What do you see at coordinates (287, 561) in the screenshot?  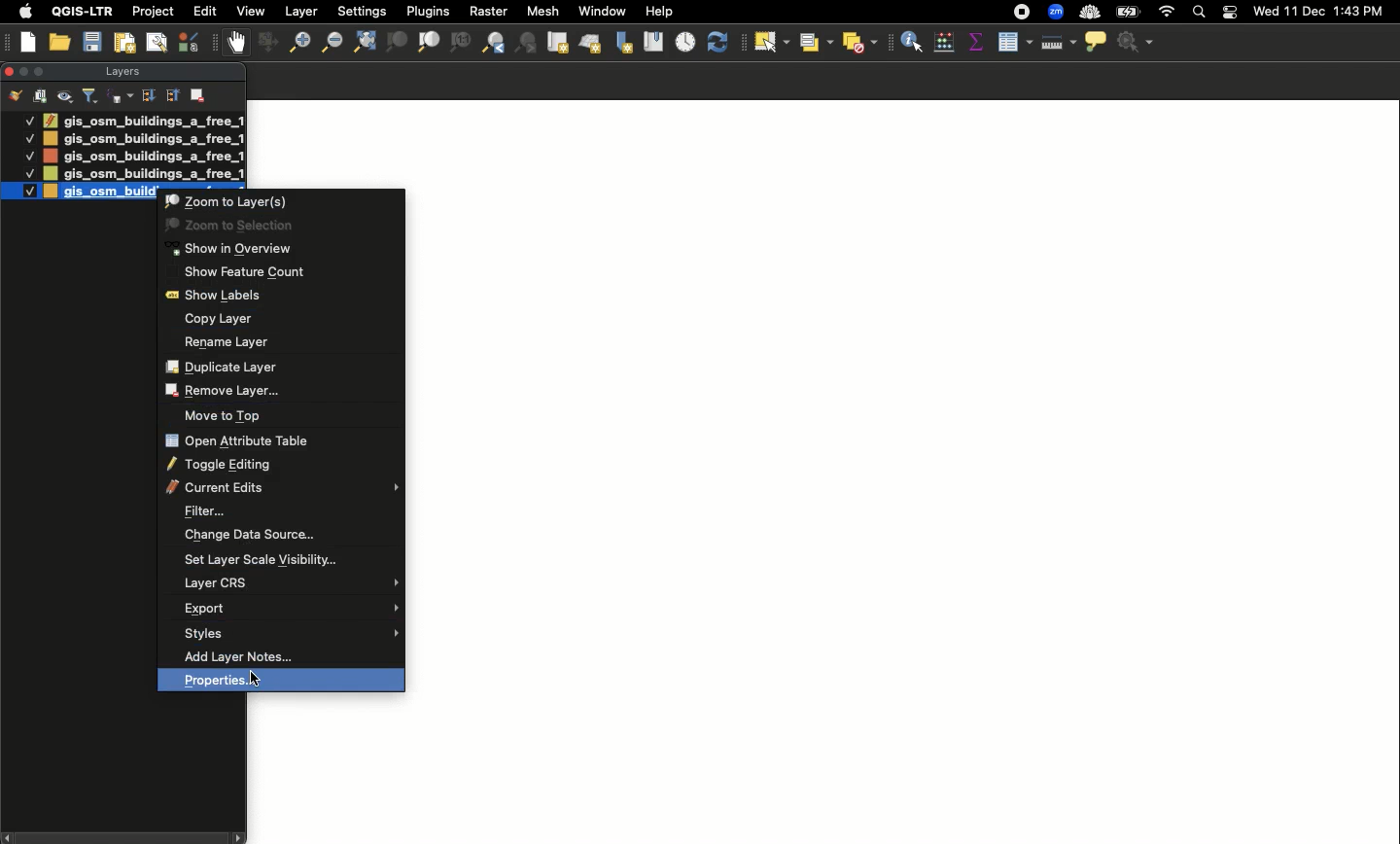 I see `Set layer scale visibility` at bounding box center [287, 561].